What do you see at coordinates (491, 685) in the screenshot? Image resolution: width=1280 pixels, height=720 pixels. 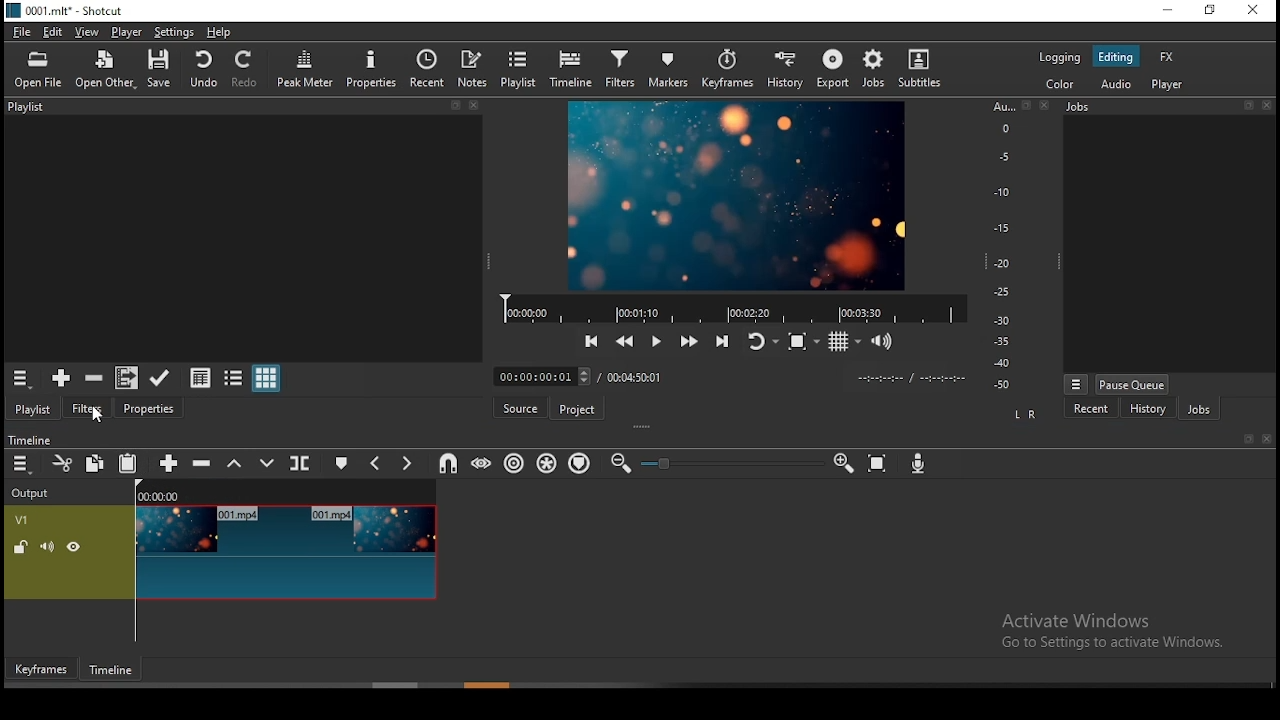 I see `scroll bar` at bounding box center [491, 685].